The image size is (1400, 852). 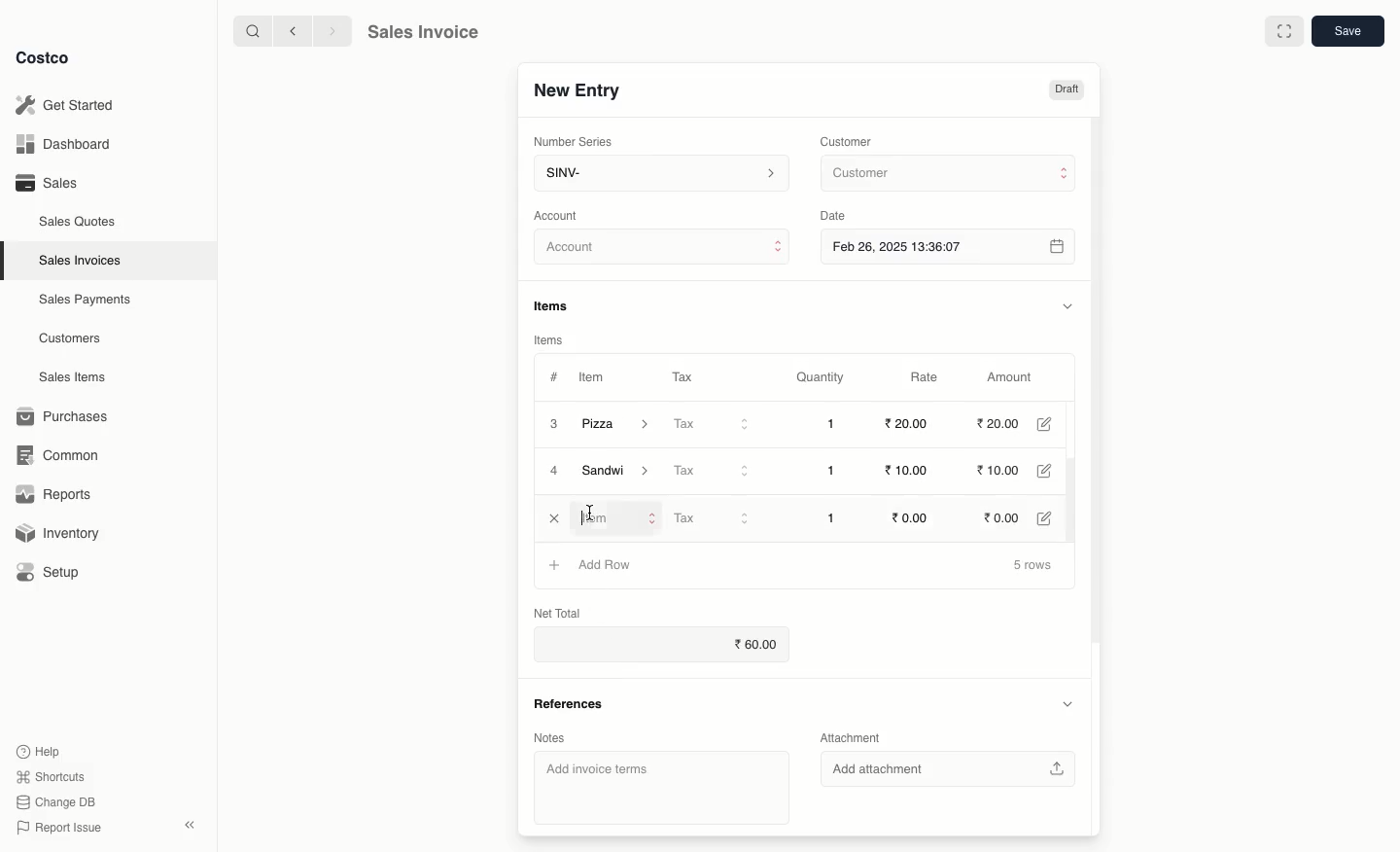 What do you see at coordinates (836, 471) in the screenshot?
I see `1` at bounding box center [836, 471].